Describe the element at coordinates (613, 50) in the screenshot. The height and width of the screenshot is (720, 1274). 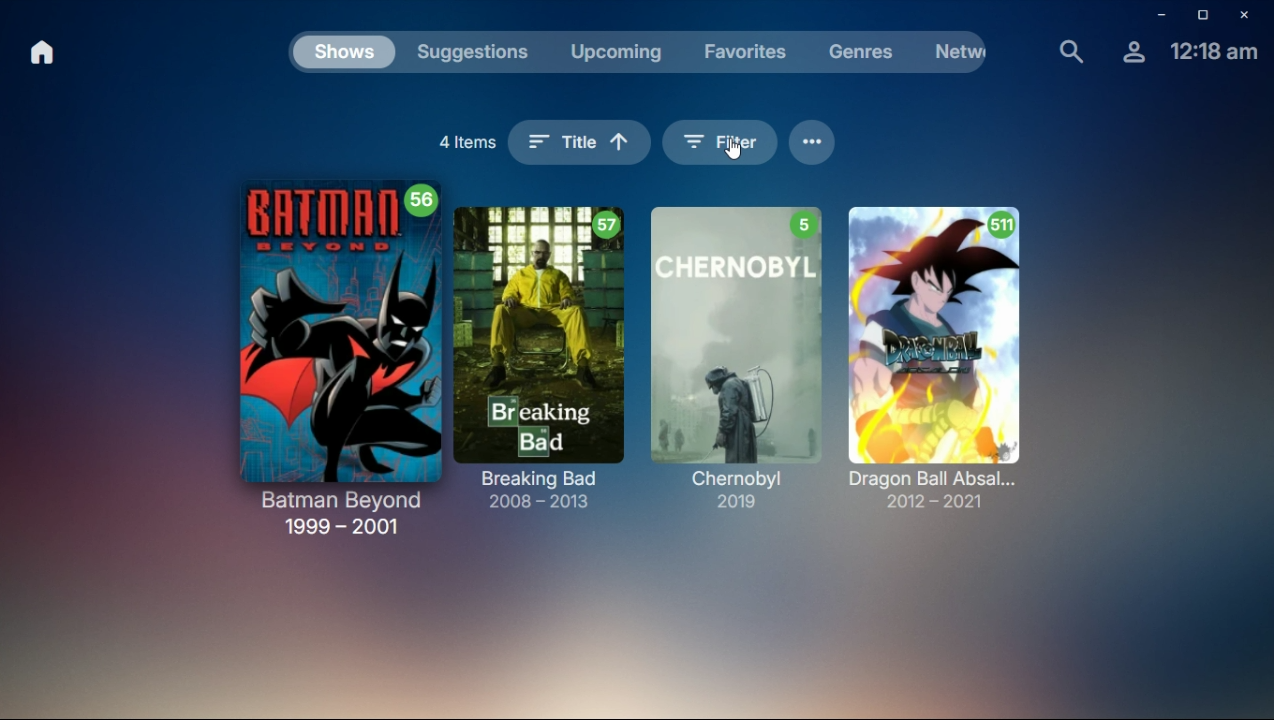
I see `upcoming` at that location.